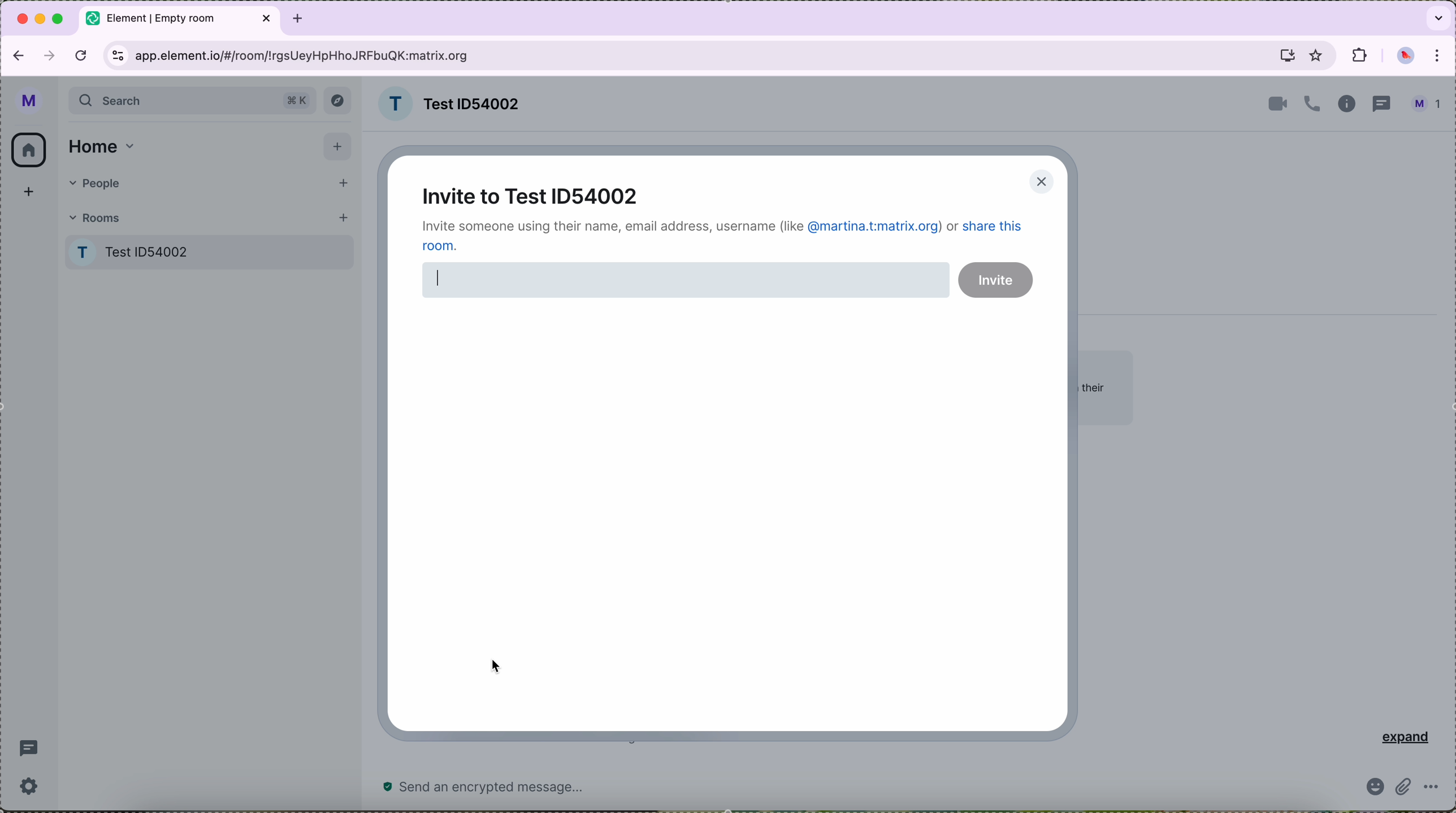  What do you see at coordinates (100, 144) in the screenshot?
I see `home tab` at bounding box center [100, 144].